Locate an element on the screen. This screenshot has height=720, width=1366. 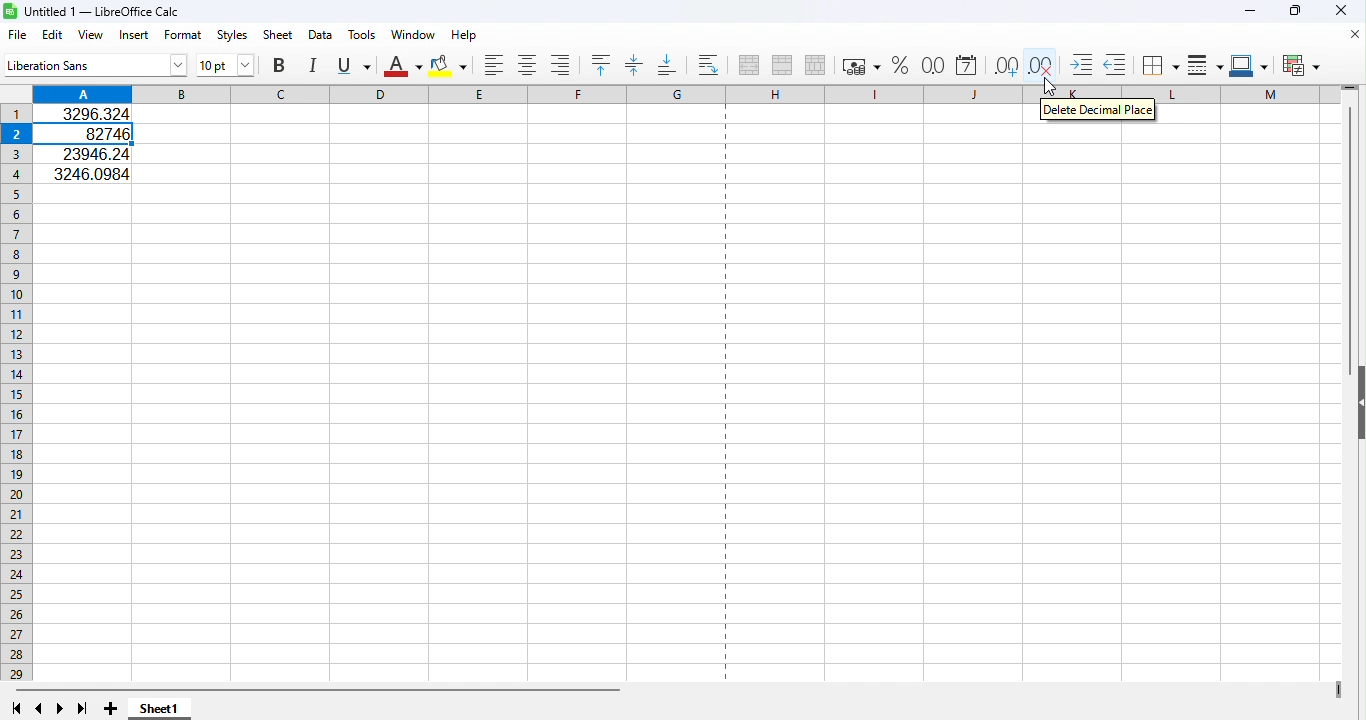
Conditional is located at coordinates (1299, 64).